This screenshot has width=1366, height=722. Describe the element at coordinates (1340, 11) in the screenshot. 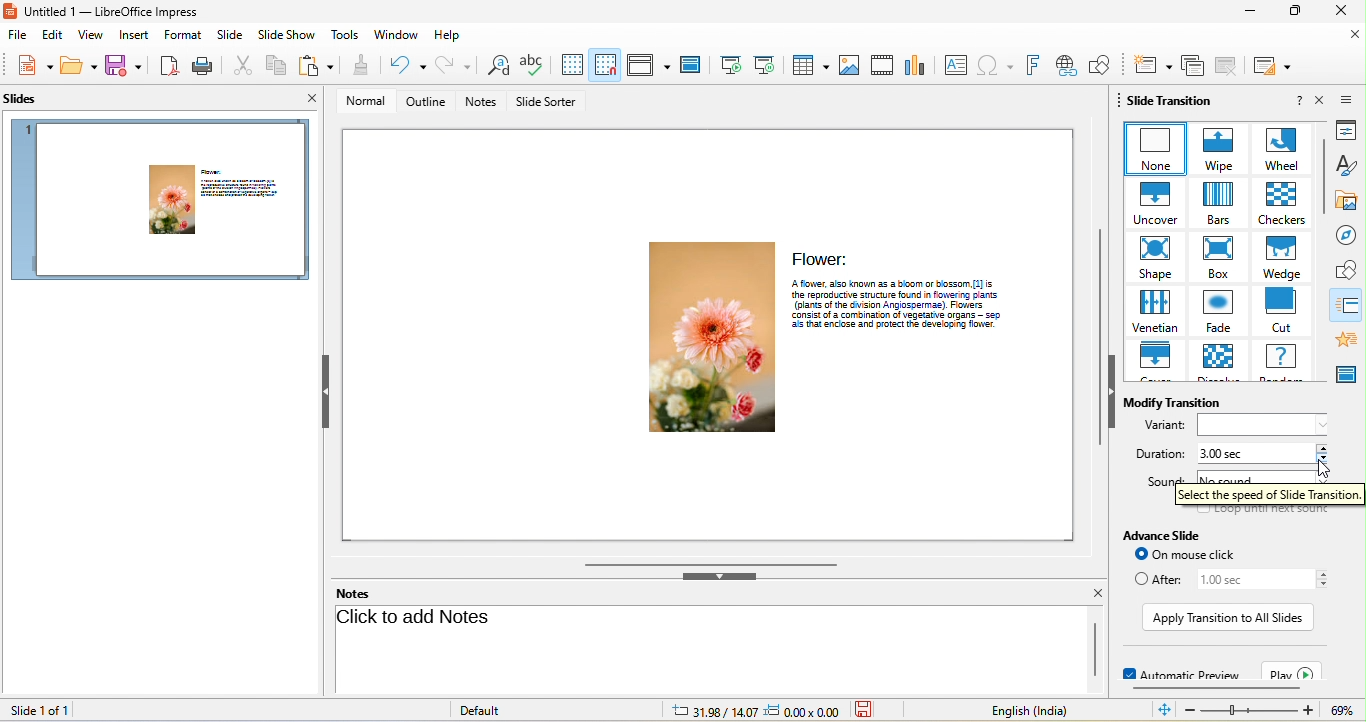

I see `close` at that location.